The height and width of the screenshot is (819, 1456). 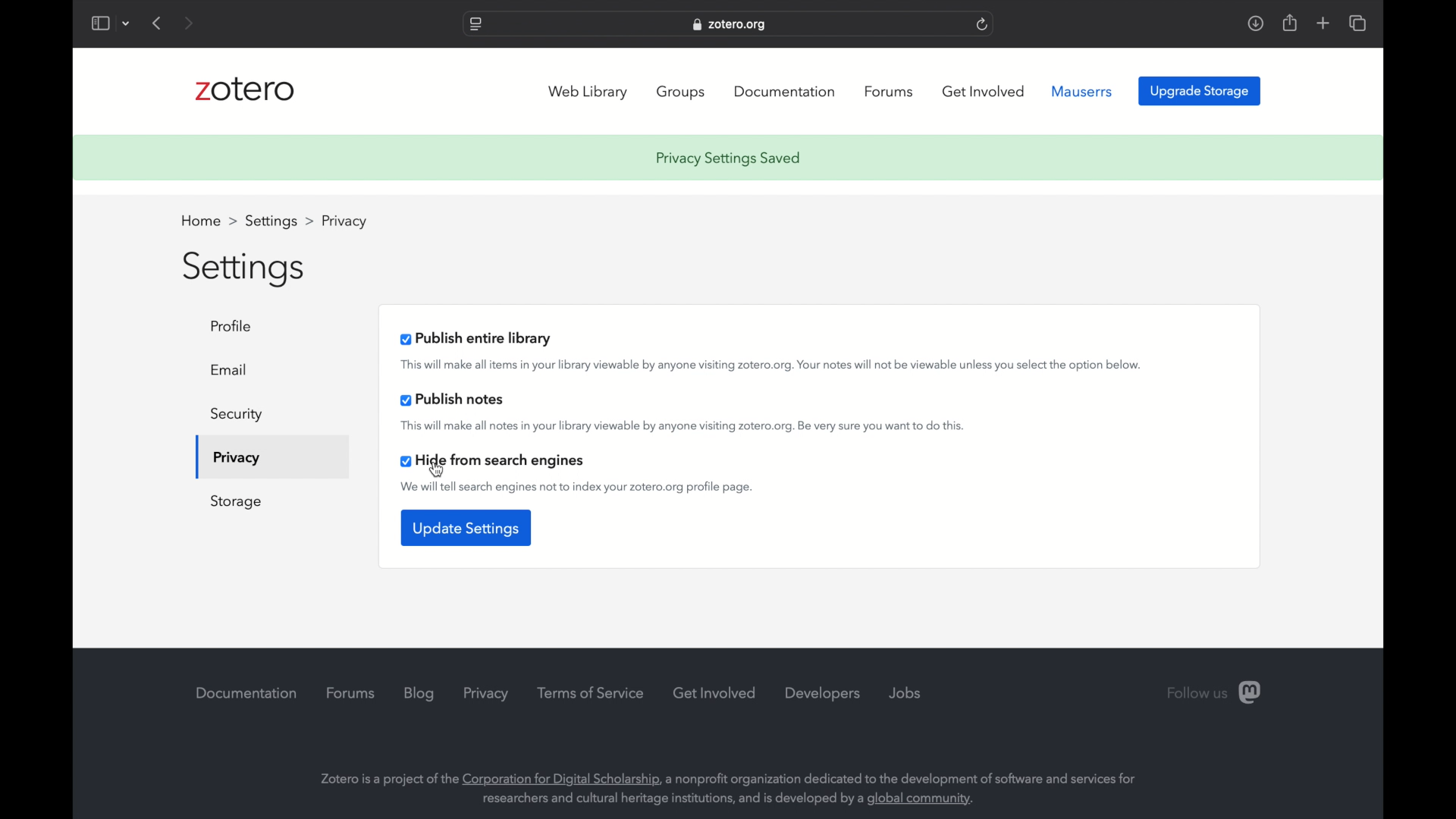 I want to click on this will make all notes in your library viewable by anyone visiting, so click(x=682, y=427).